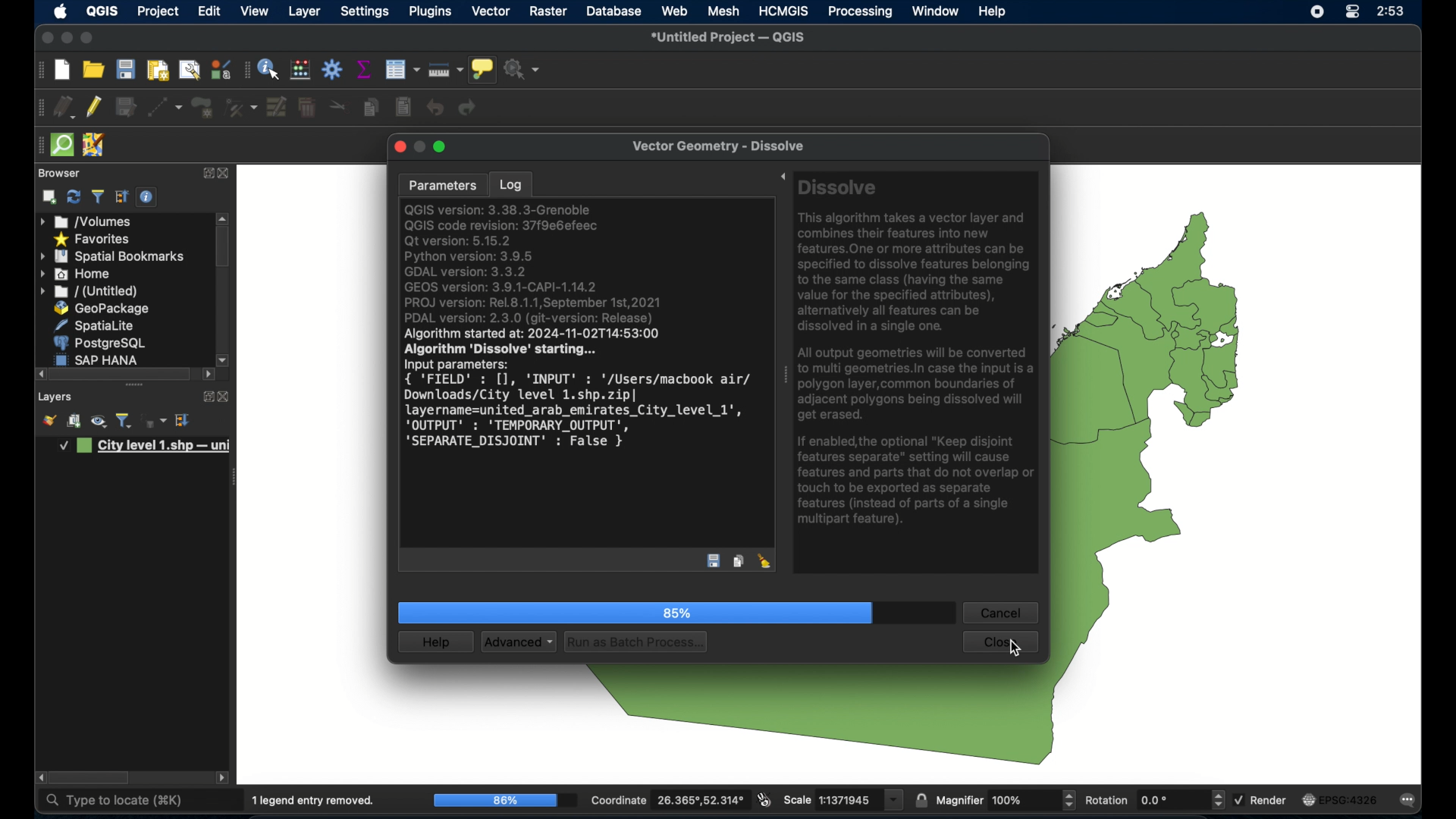 The width and height of the screenshot is (1456, 819). I want to click on postgresql, so click(102, 343).